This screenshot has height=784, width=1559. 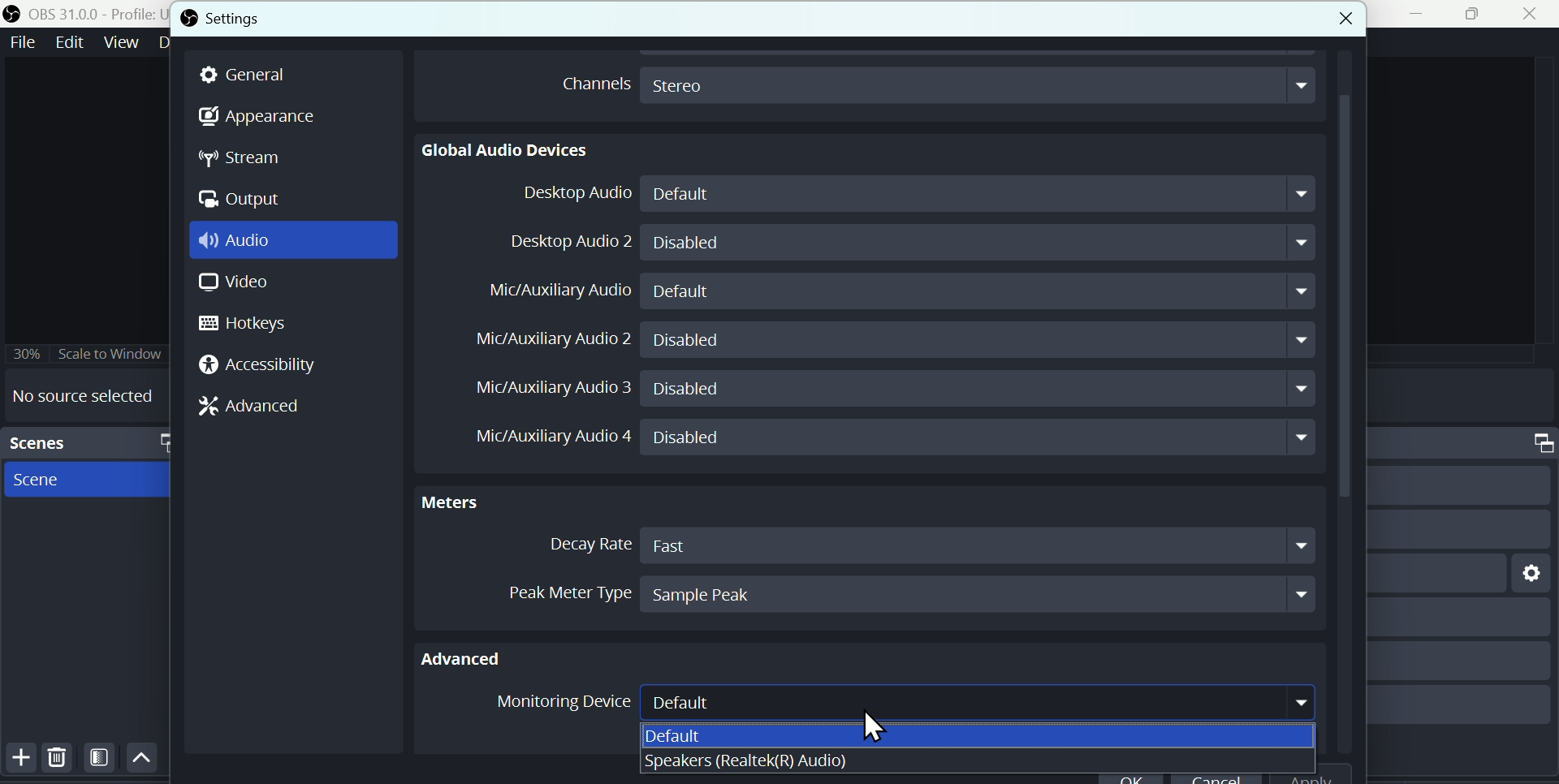 I want to click on Channels, so click(x=591, y=82).